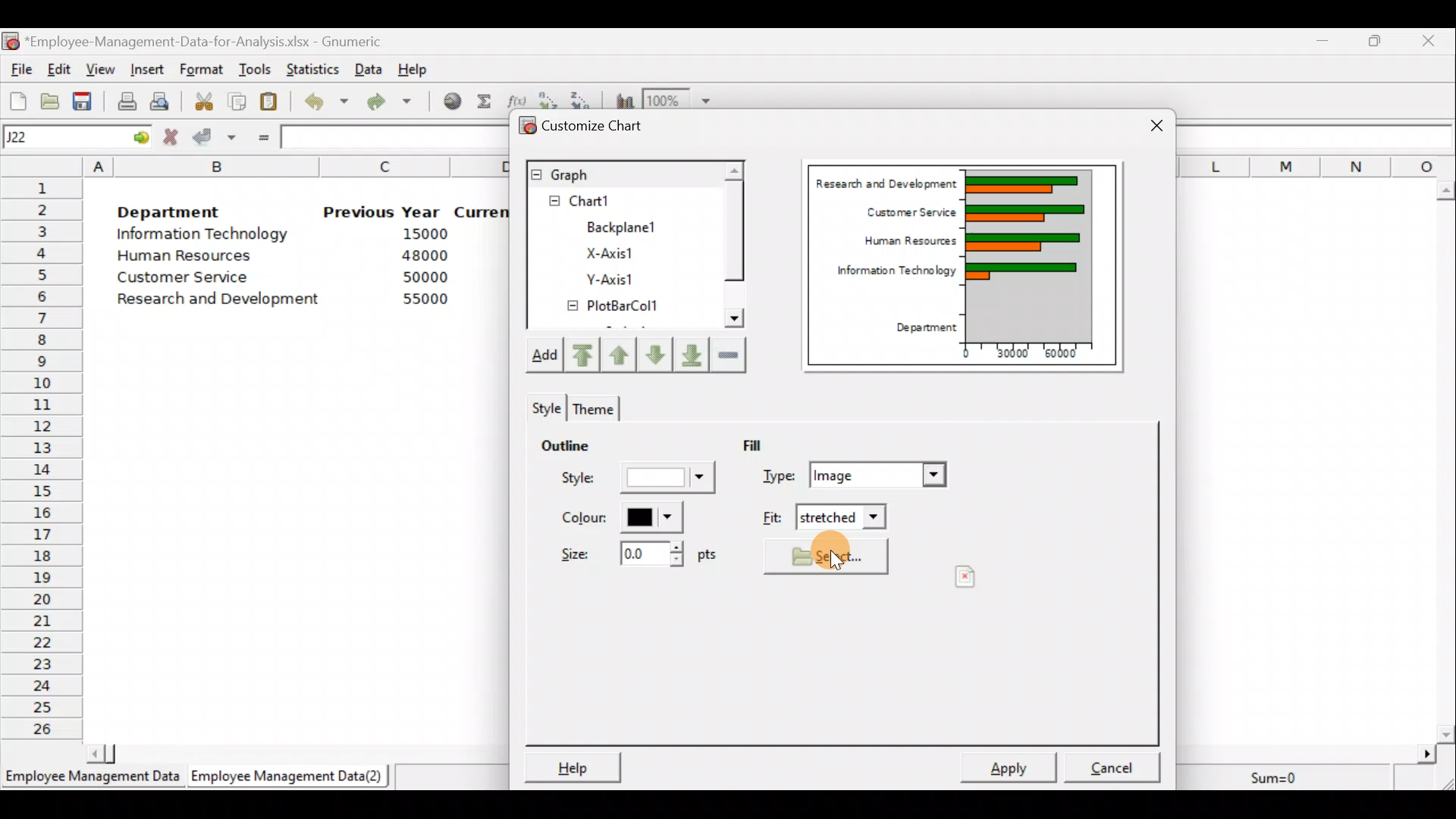  I want to click on Tools, so click(255, 67).